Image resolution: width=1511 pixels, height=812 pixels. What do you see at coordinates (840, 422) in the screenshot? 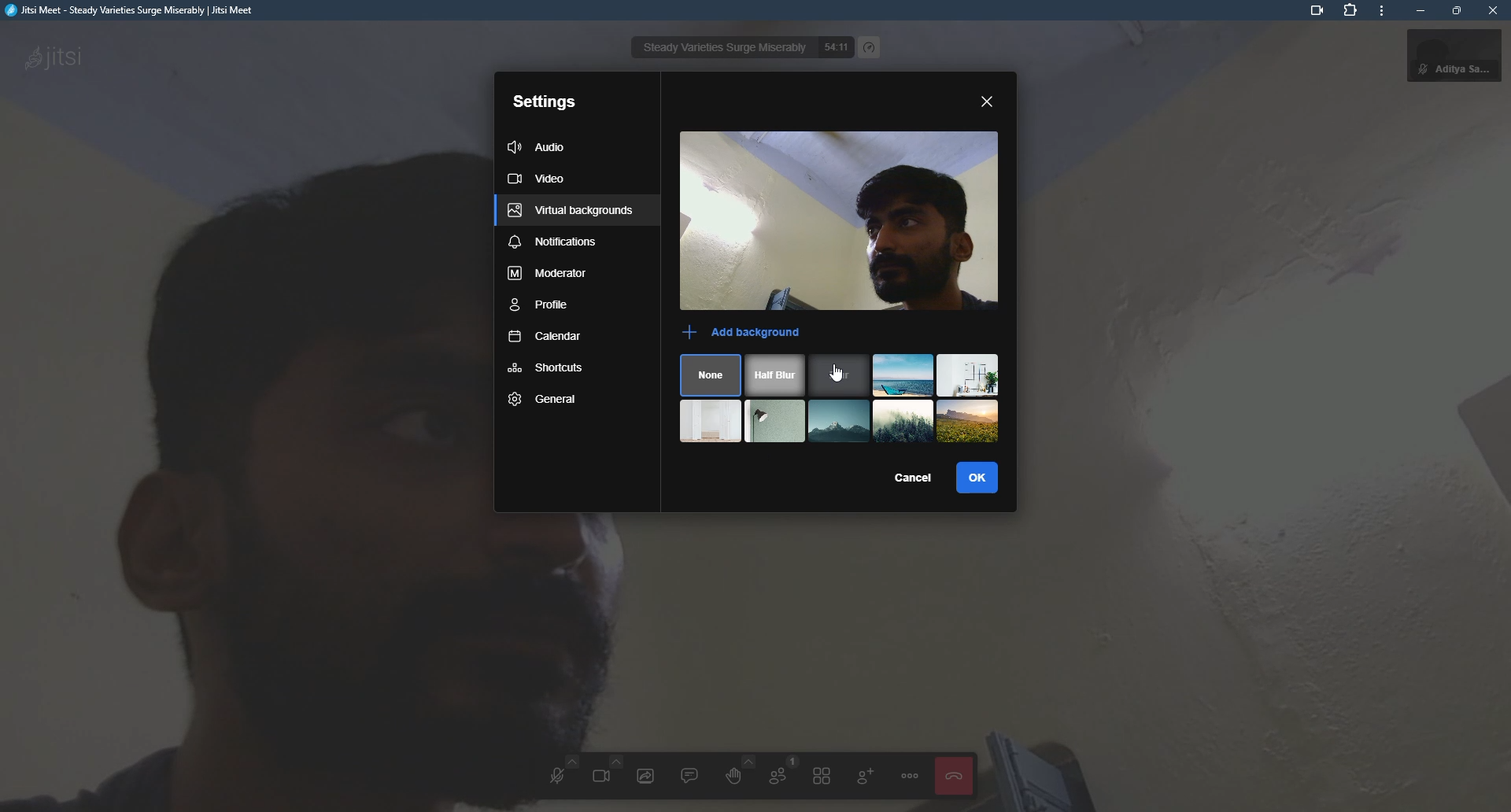
I see `scenery` at bounding box center [840, 422].